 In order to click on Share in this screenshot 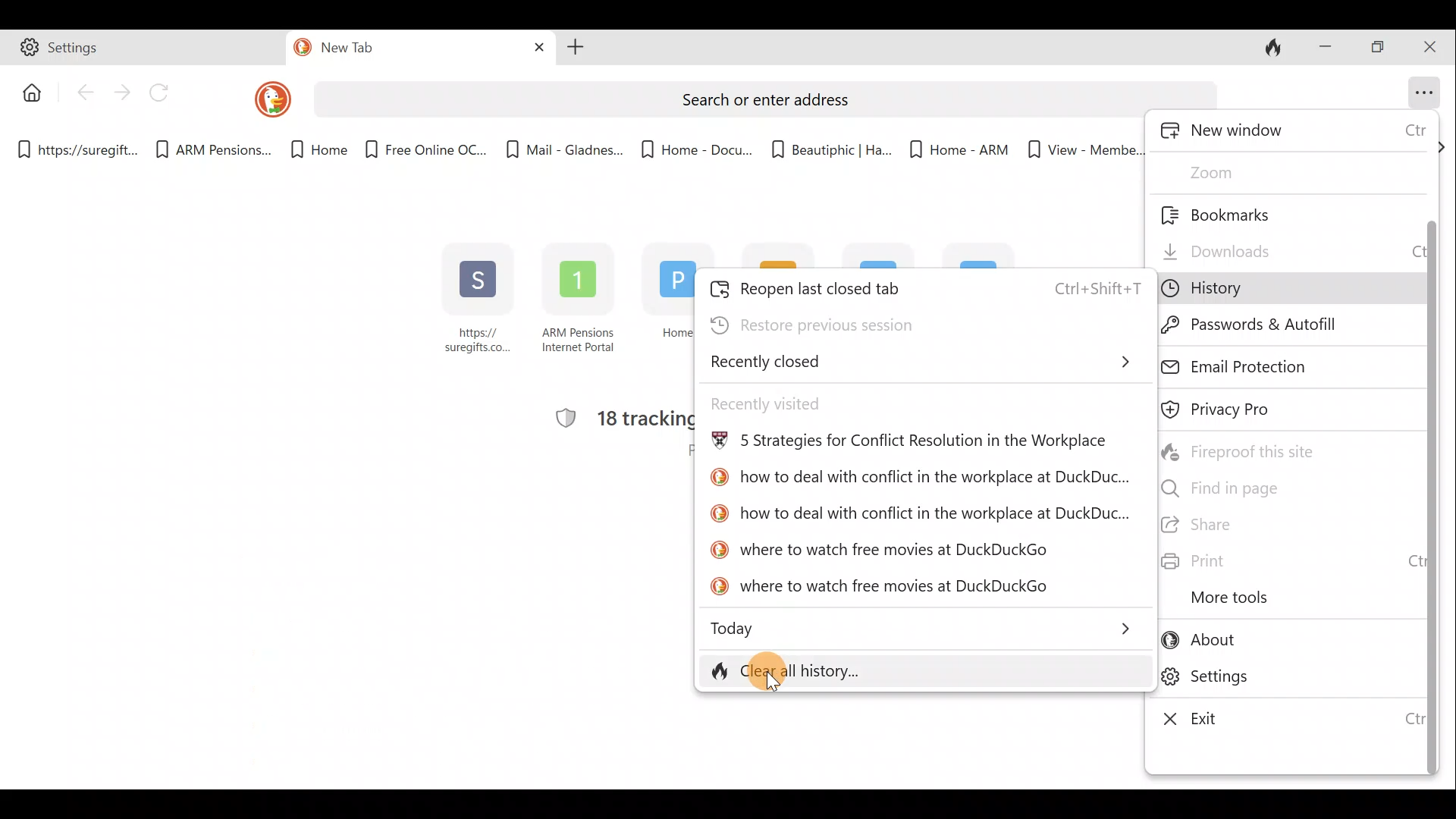, I will do `click(1285, 526)`.